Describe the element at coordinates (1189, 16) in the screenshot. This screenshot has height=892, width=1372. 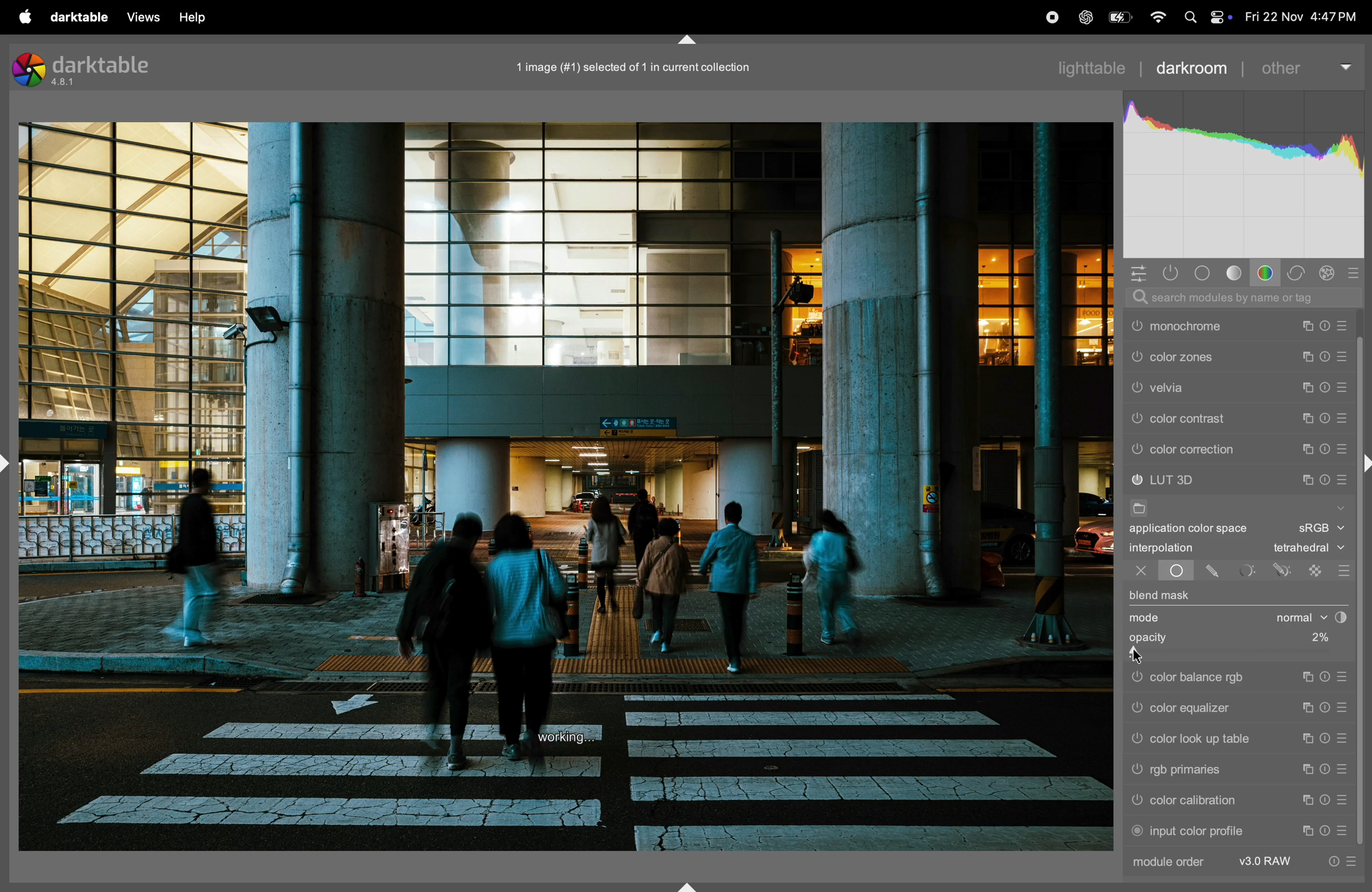
I see `spotlight search` at that location.